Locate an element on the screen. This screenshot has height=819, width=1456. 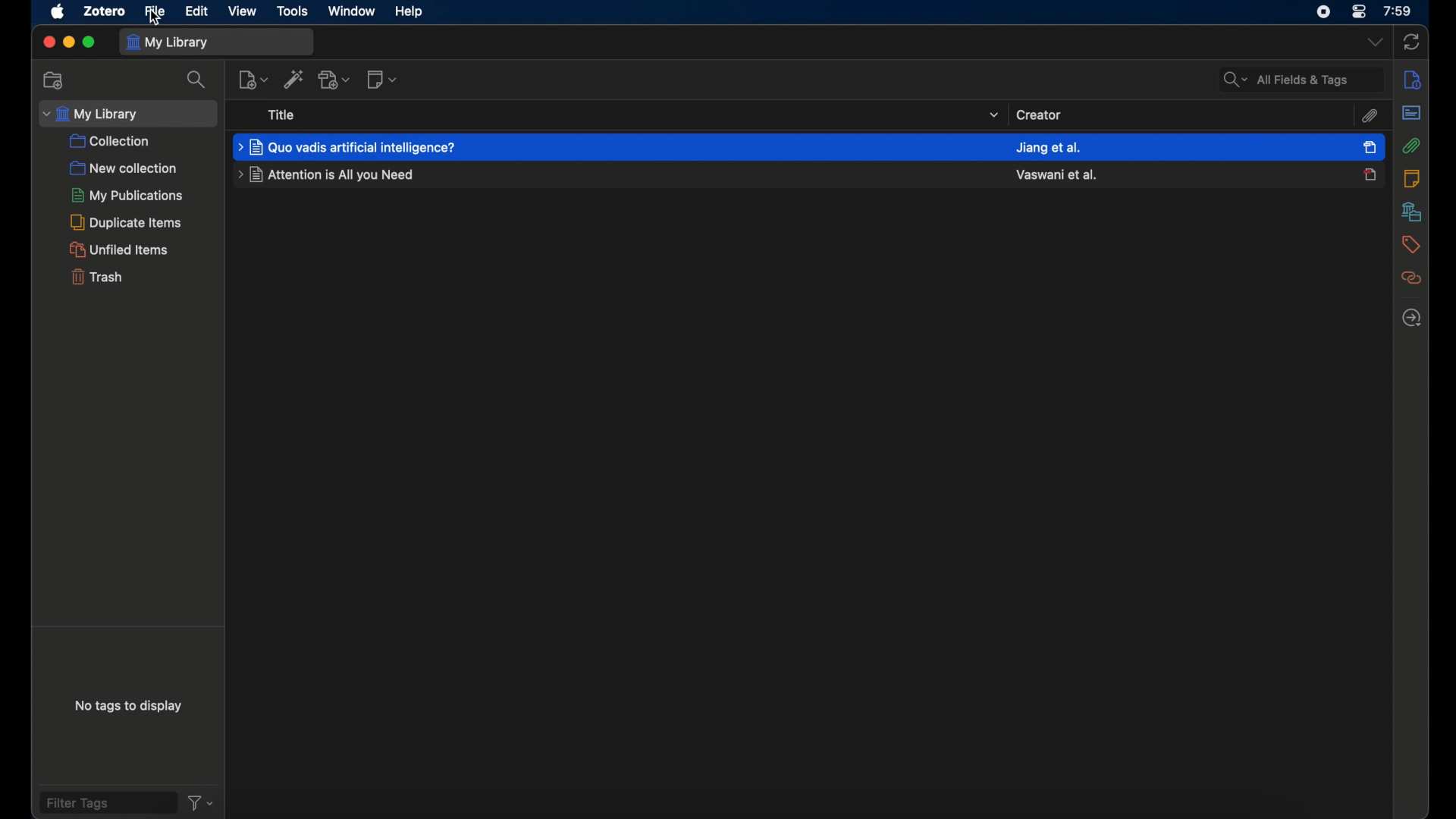
filter dropdown  is located at coordinates (202, 802).